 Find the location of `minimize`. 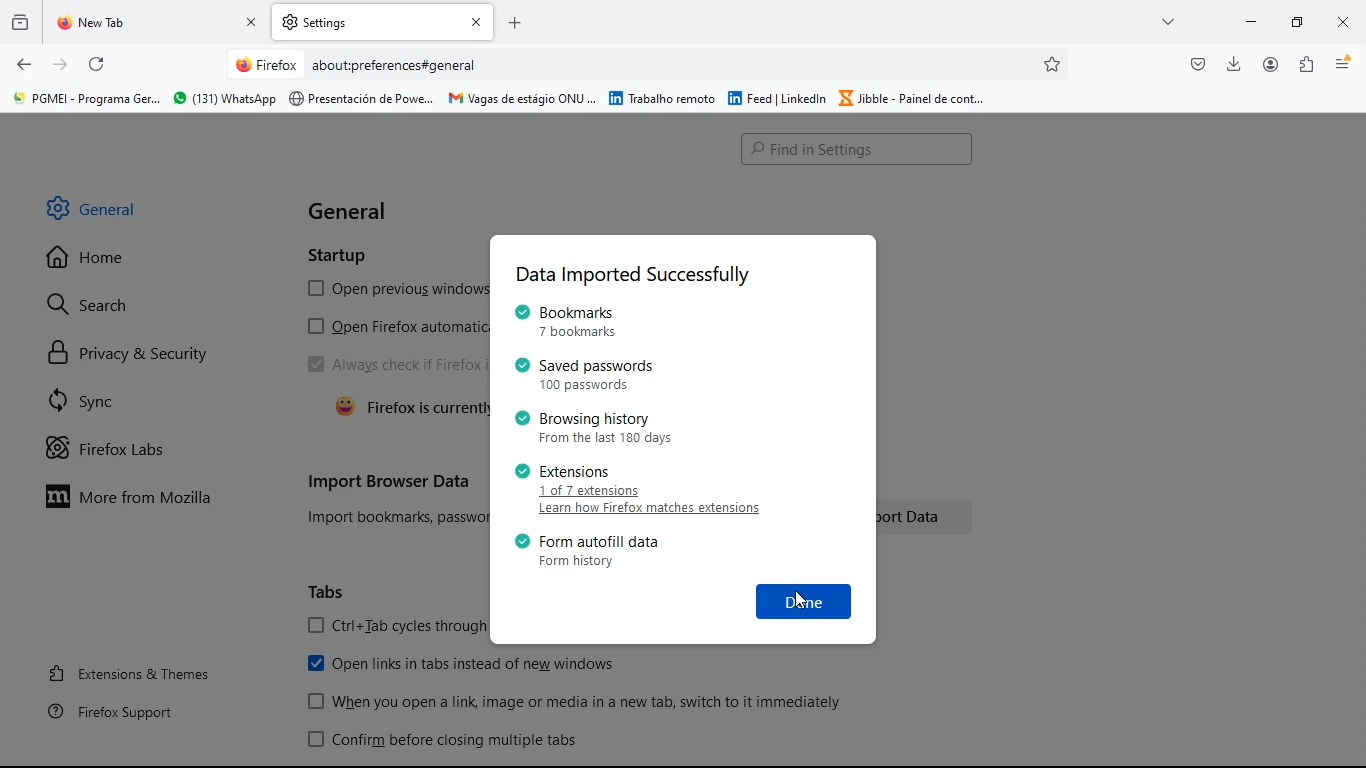

minimize is located at coordinates (1252, 22).